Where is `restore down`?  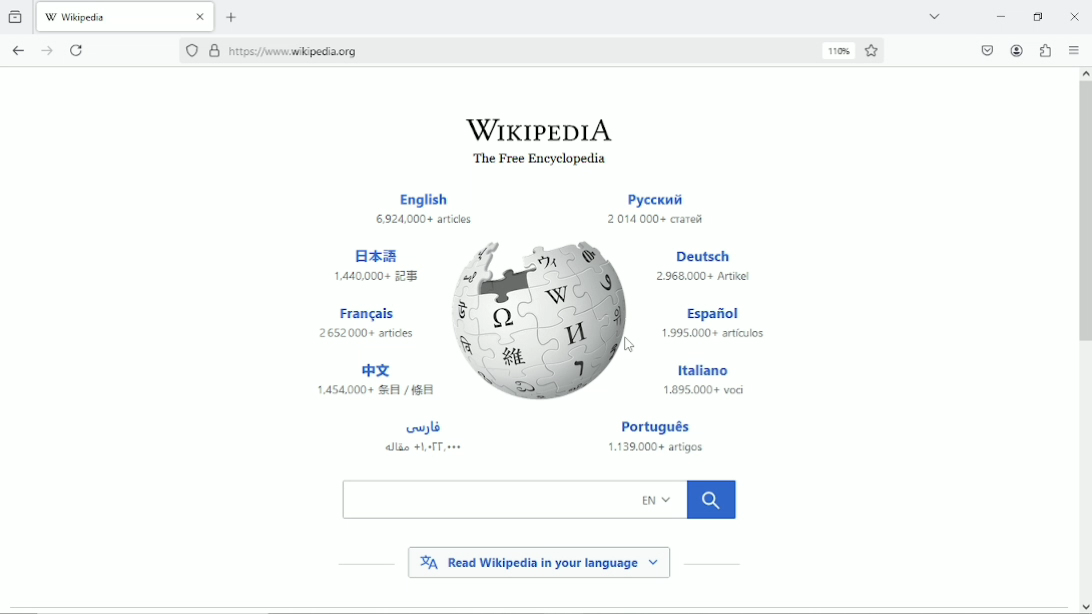
restore down is located at coordinates (1039, 16).